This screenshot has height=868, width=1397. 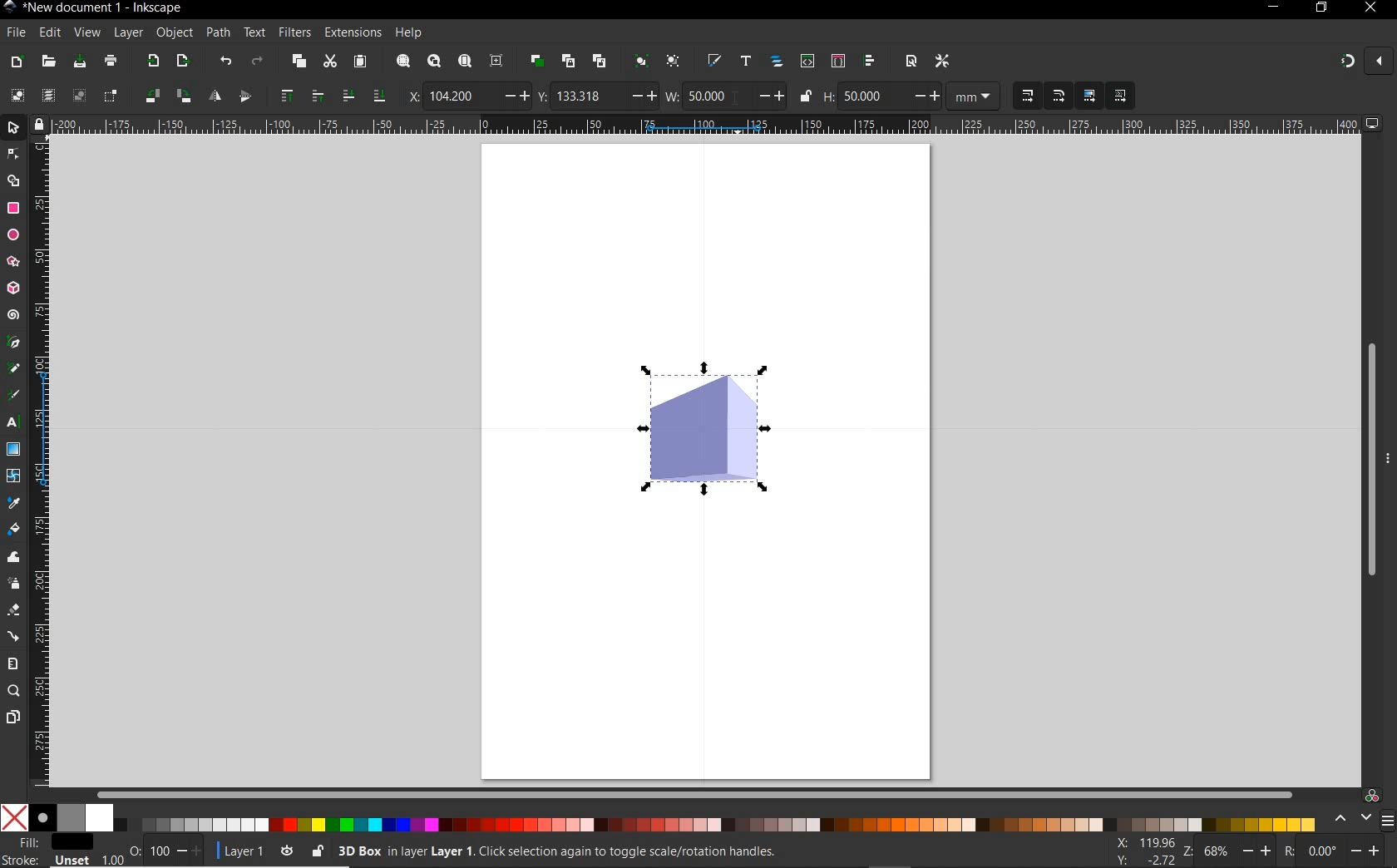 What do you see at coordinates (48, 33) in the screenshot?
I see `edit` at bounding box center [48, 33].